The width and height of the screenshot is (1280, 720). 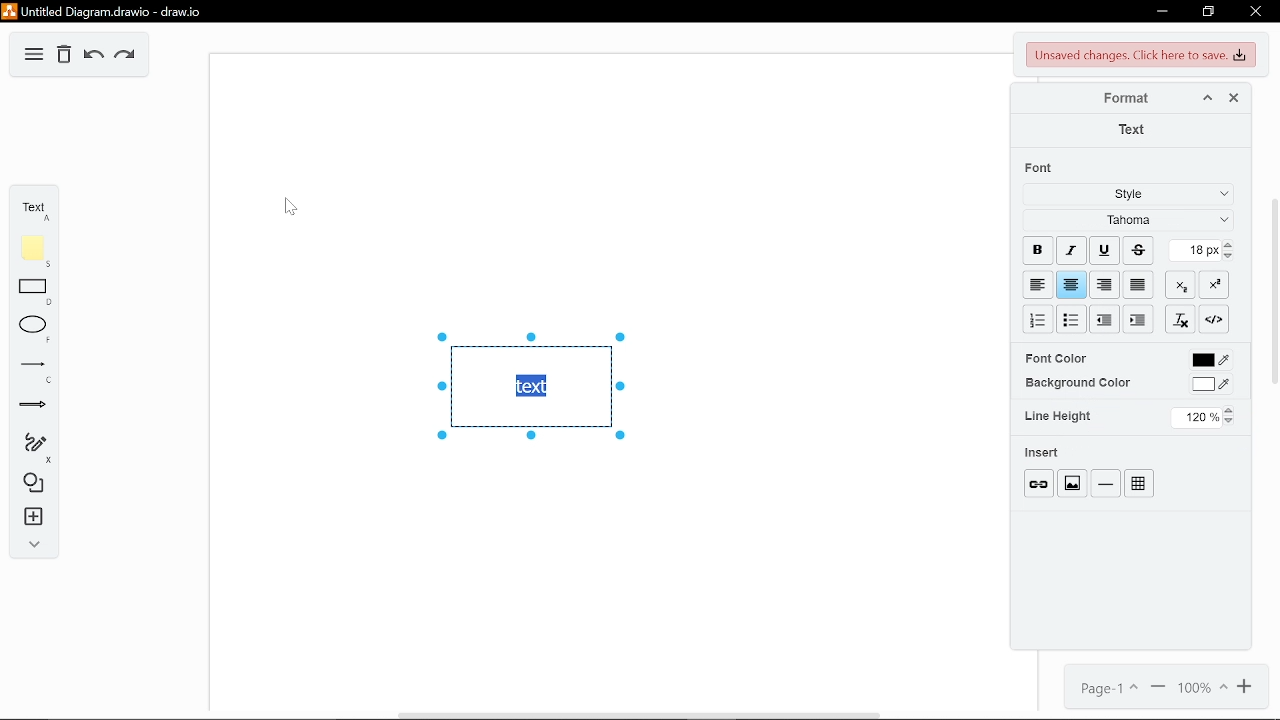 I want to click on close, so click(x=1254, y=13).